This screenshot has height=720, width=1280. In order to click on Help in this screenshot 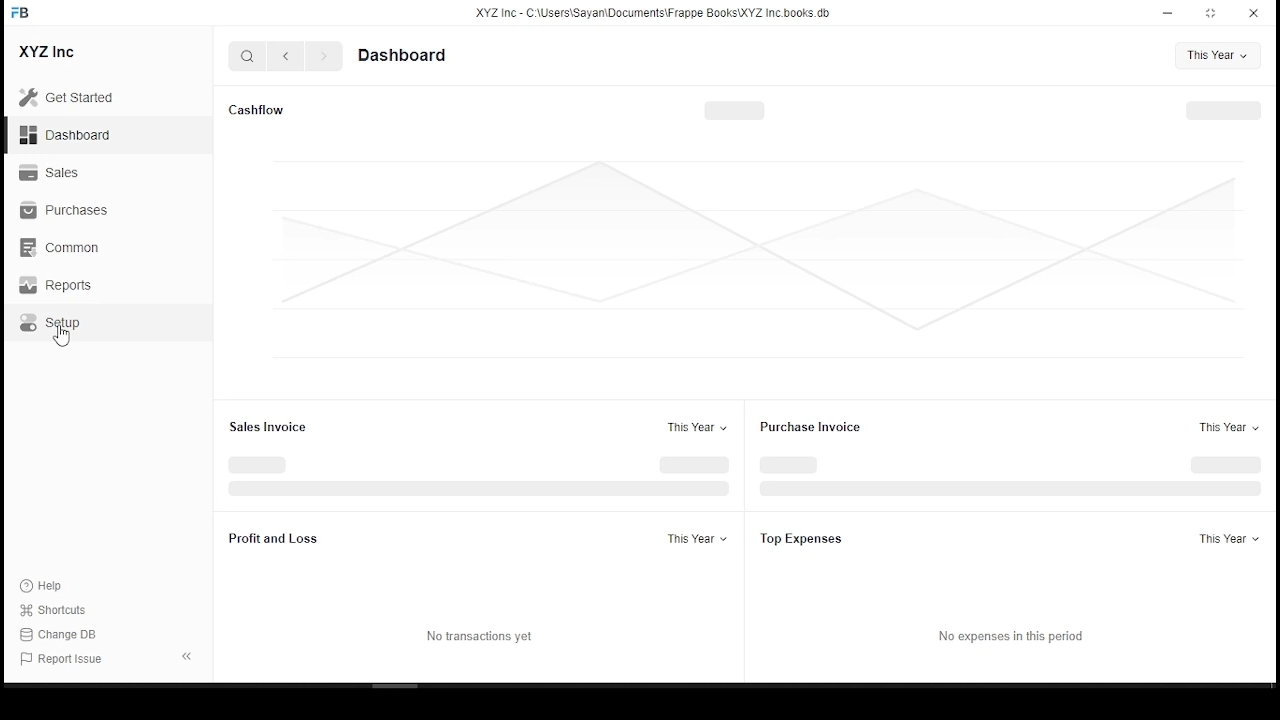, I will do `click(44, 587)`.